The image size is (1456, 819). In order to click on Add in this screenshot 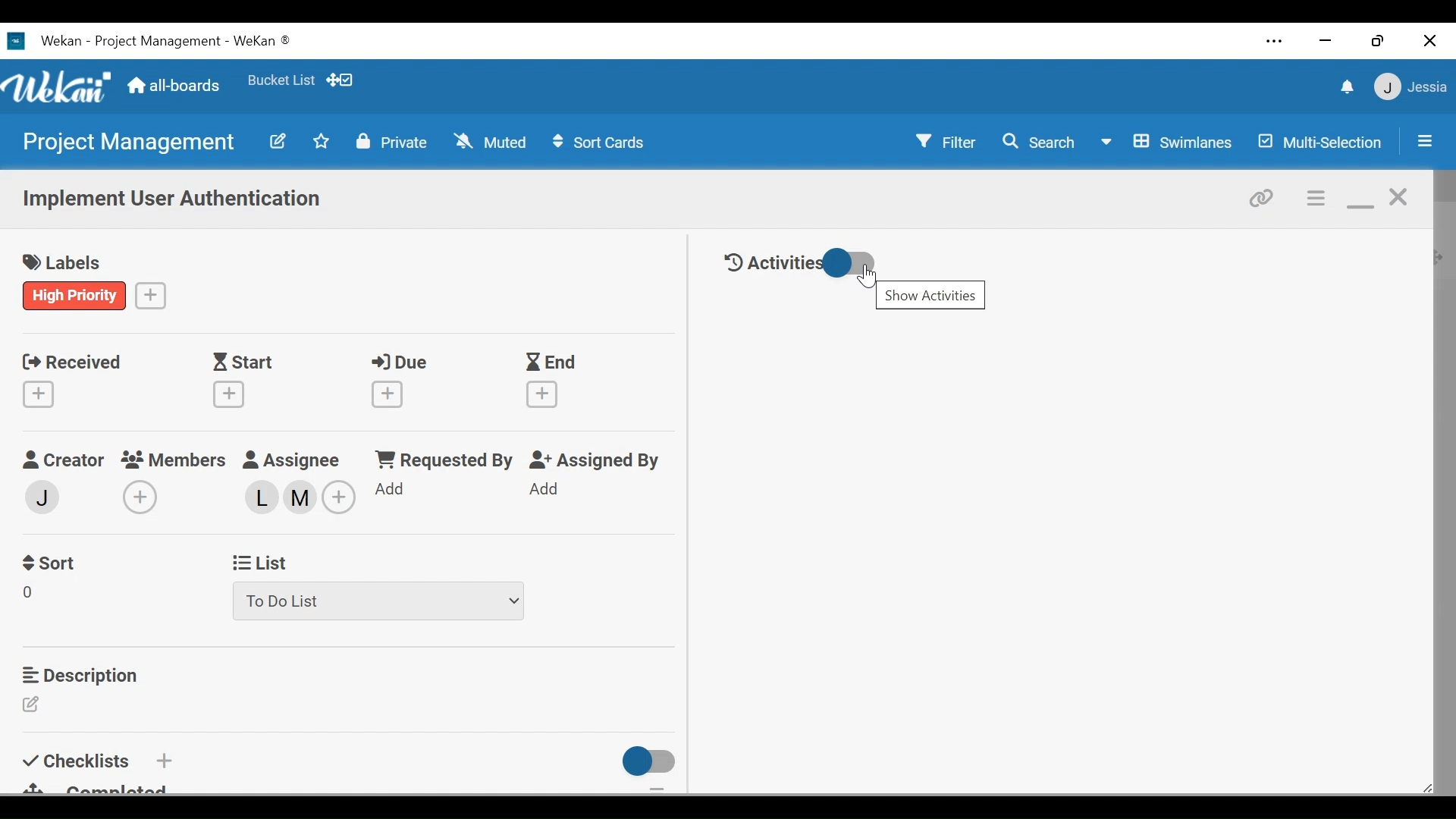, I will do `click(169, 761)`.